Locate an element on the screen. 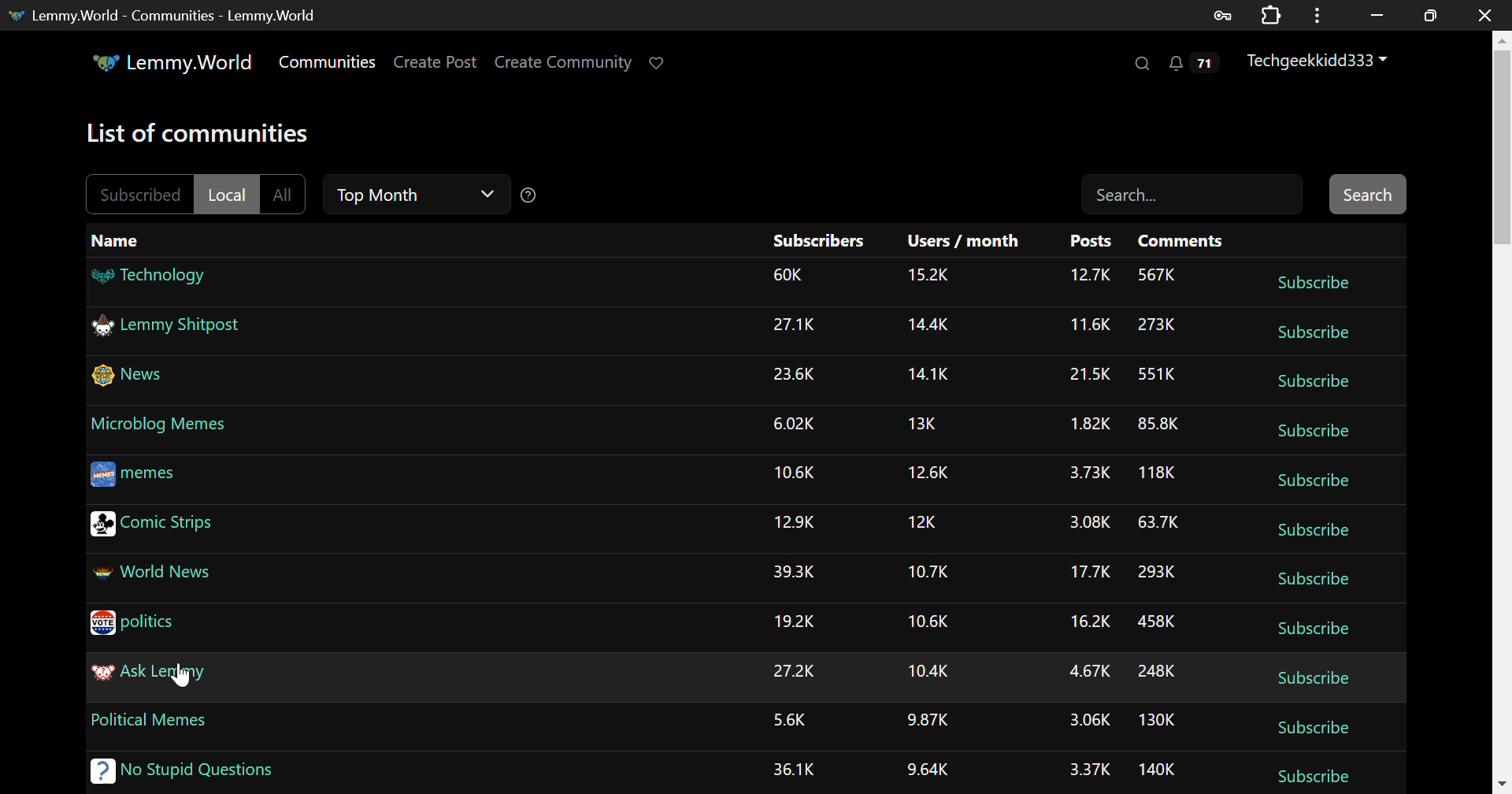 The height and width of the screenshot is (794, 1512). Amount is located at coordinates (934, 273).